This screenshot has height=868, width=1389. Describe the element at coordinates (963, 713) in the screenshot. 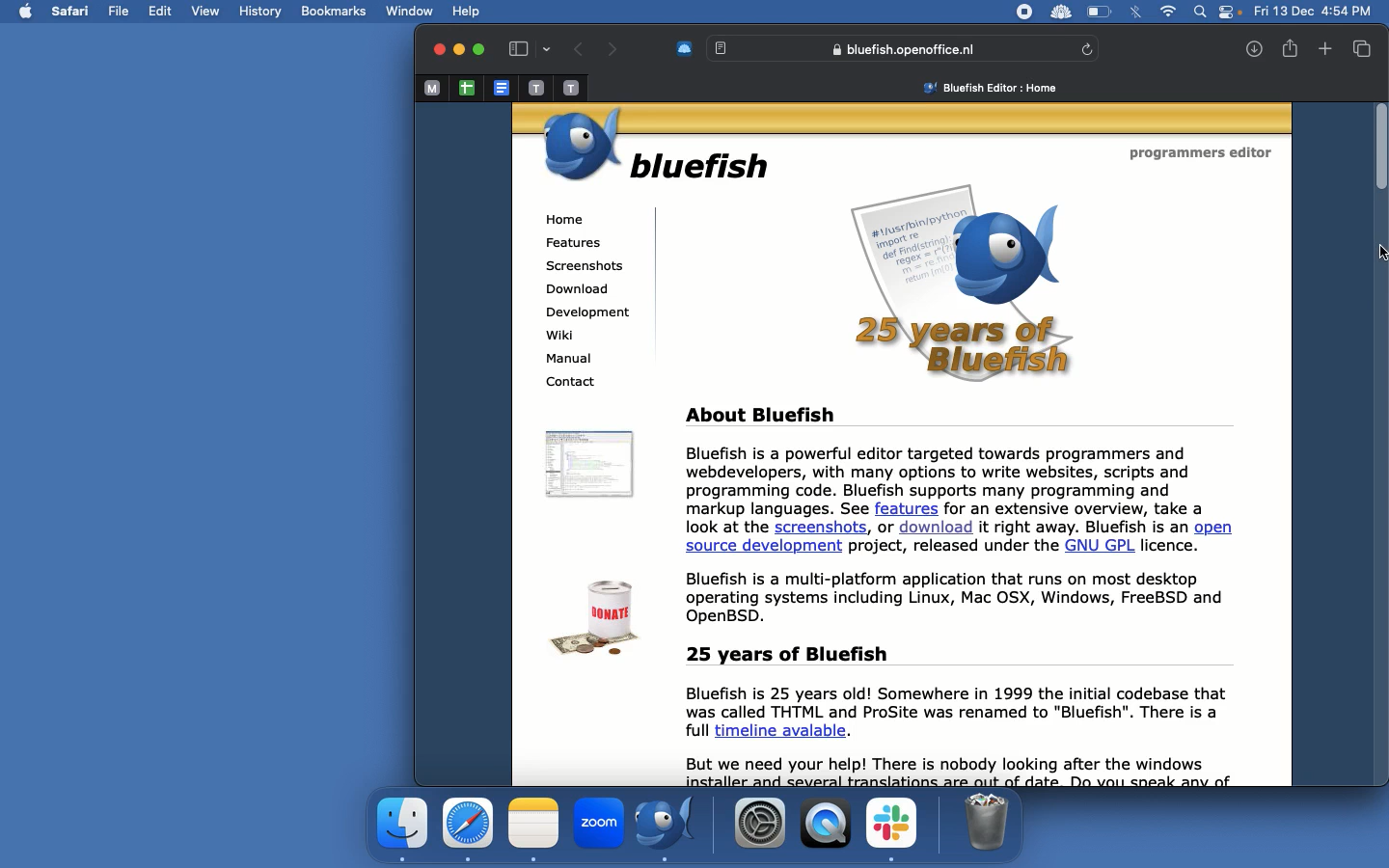

I see `25 years of Bluefish

Bluefish is 25 years old! Somewhere in 1999 the initial codebase that
was called THTML and ProSite was renamed to "Bluefish". There is a
full timeline avalable.

But we need your help! There is nobody looking after the windows

: € 5 pl` at that location.